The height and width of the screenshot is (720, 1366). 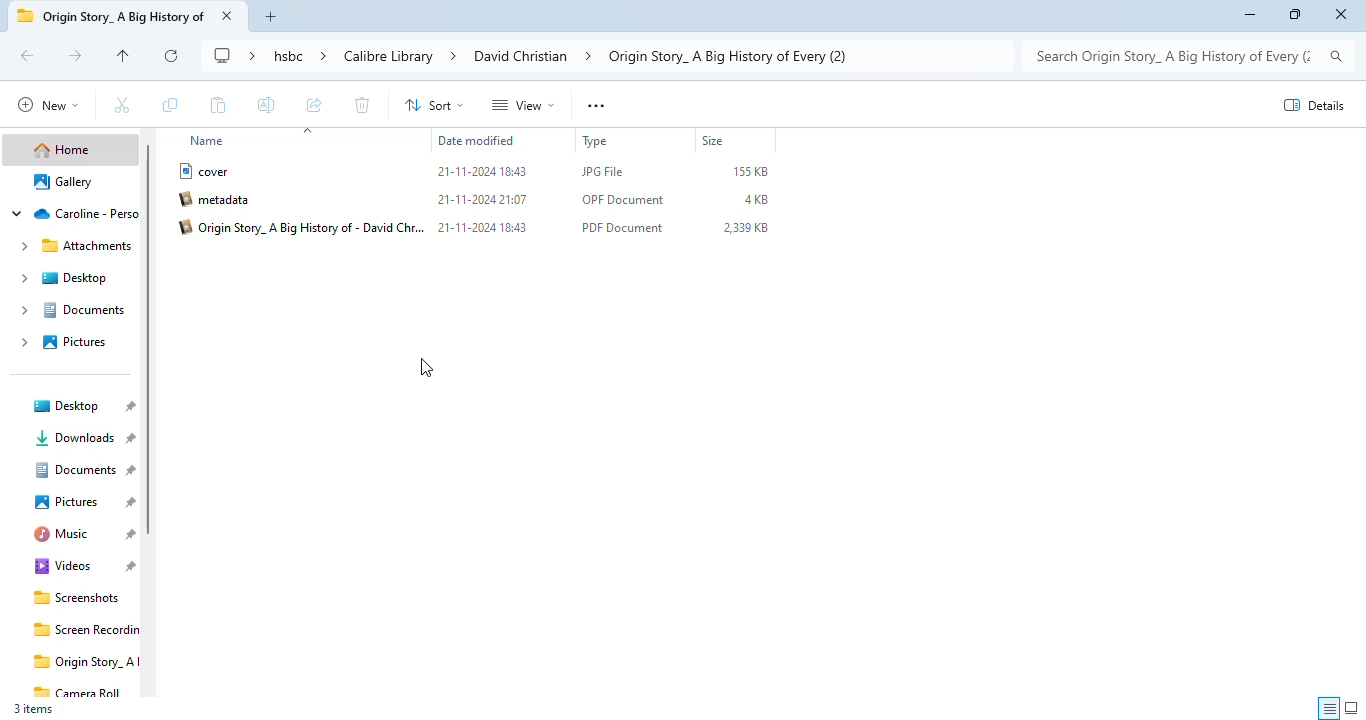 What do you see at coordinates (482, 228) in the screenshot?
I see `modified date & time` at bounding box center [482, 228].